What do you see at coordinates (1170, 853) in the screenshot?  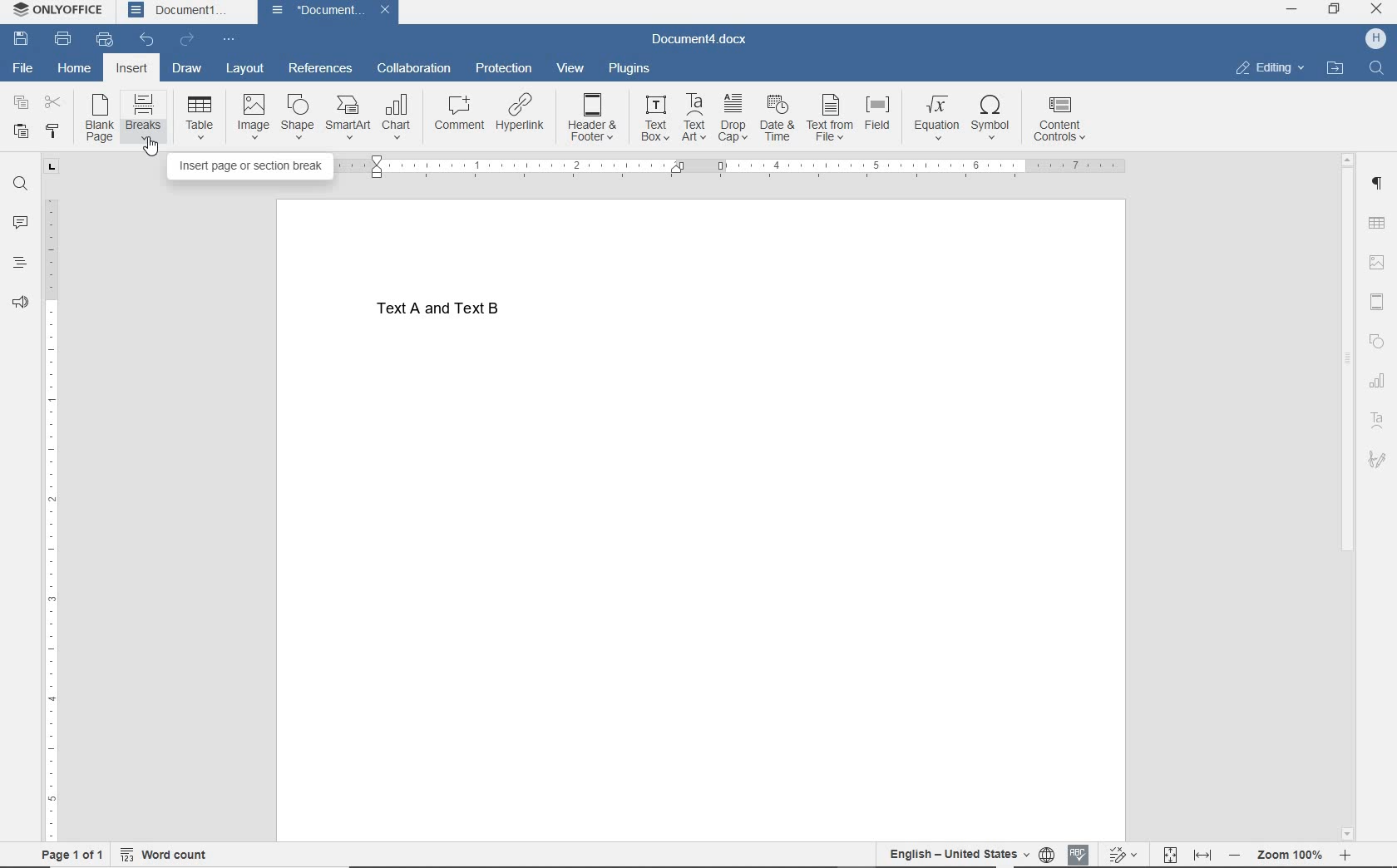 I see `FIT TO PAGE` at bounding box center [1170, 853].